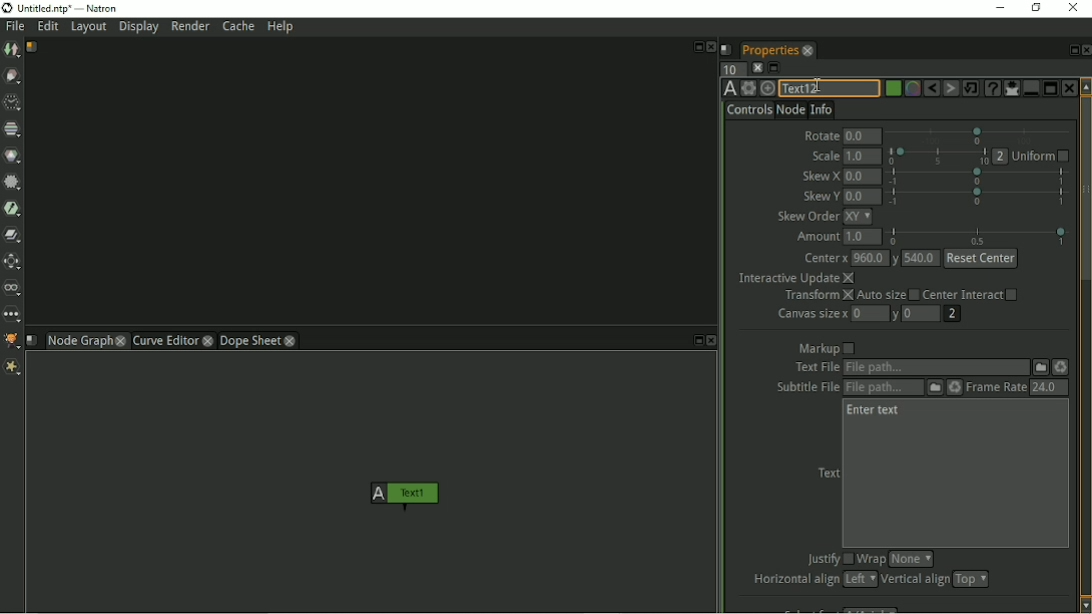  What do you see at coordinates (827, 560) in the screenshot?
I see `Justify` at bounding box center [827, 560].